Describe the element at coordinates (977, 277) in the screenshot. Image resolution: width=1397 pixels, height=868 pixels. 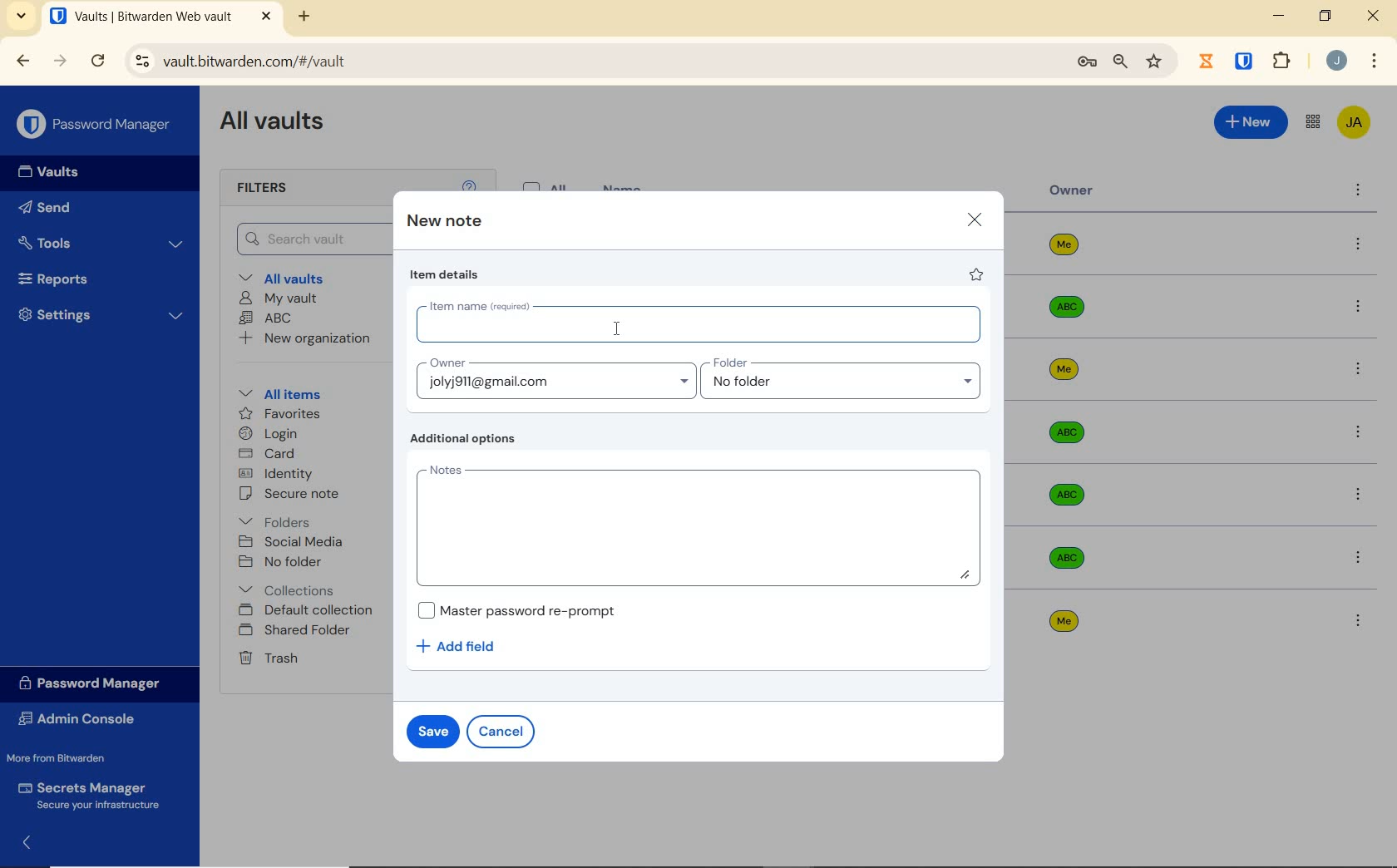
I see `favorite` at that location.